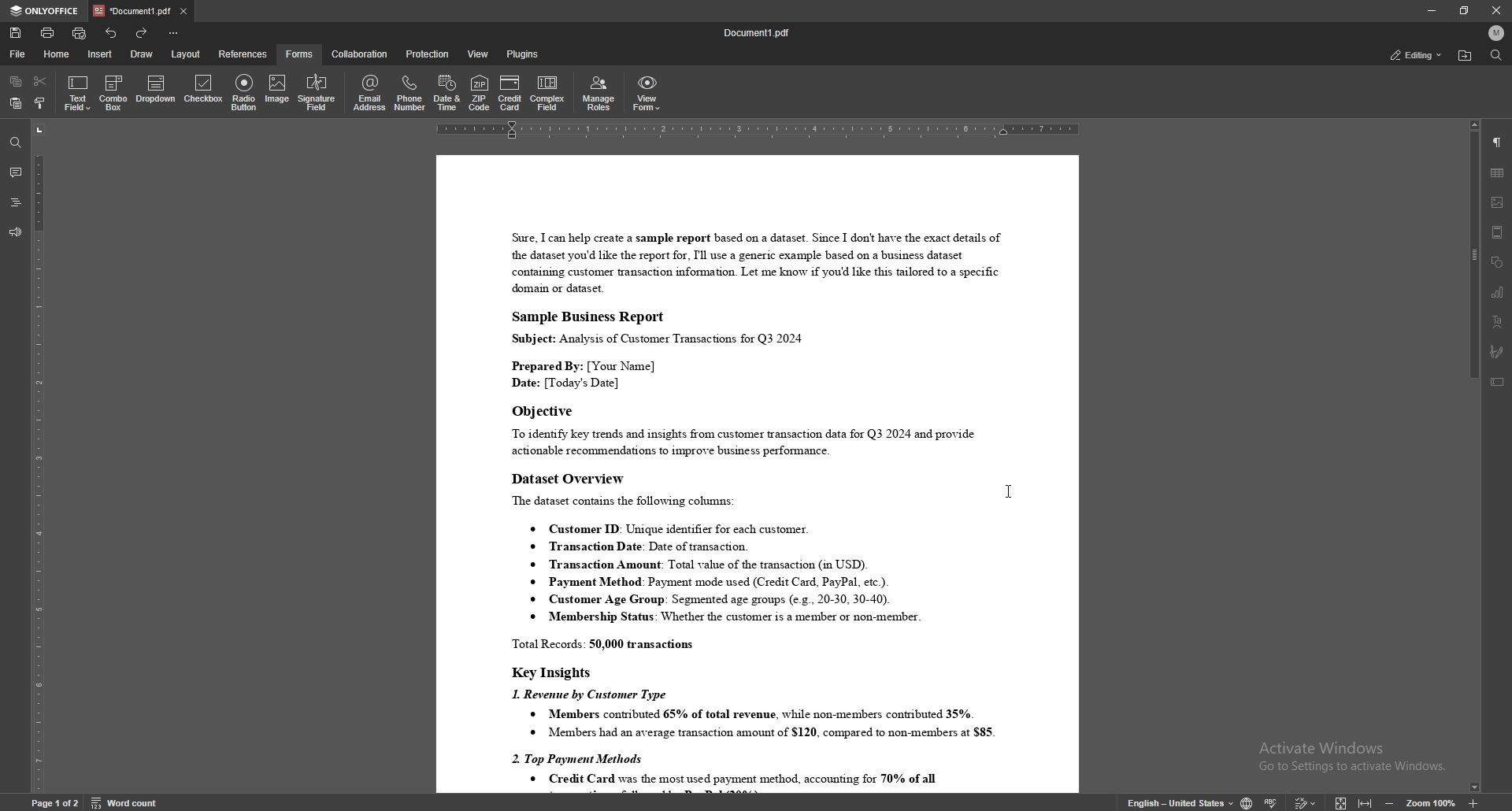 The height and width of the screenshot is (811, 1512). I want to click on radio button, so click(246, 92).